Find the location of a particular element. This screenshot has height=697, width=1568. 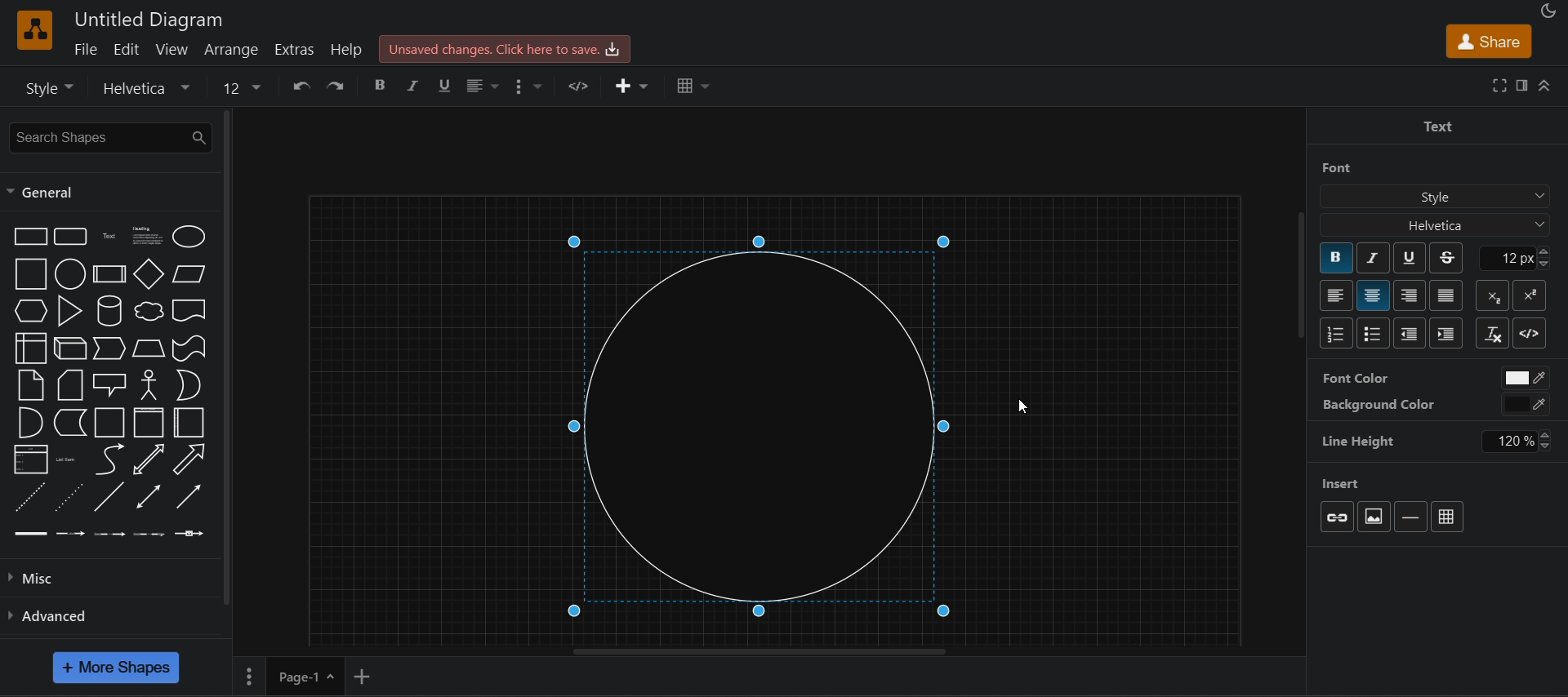

list item is located at coordinates (69, 460).